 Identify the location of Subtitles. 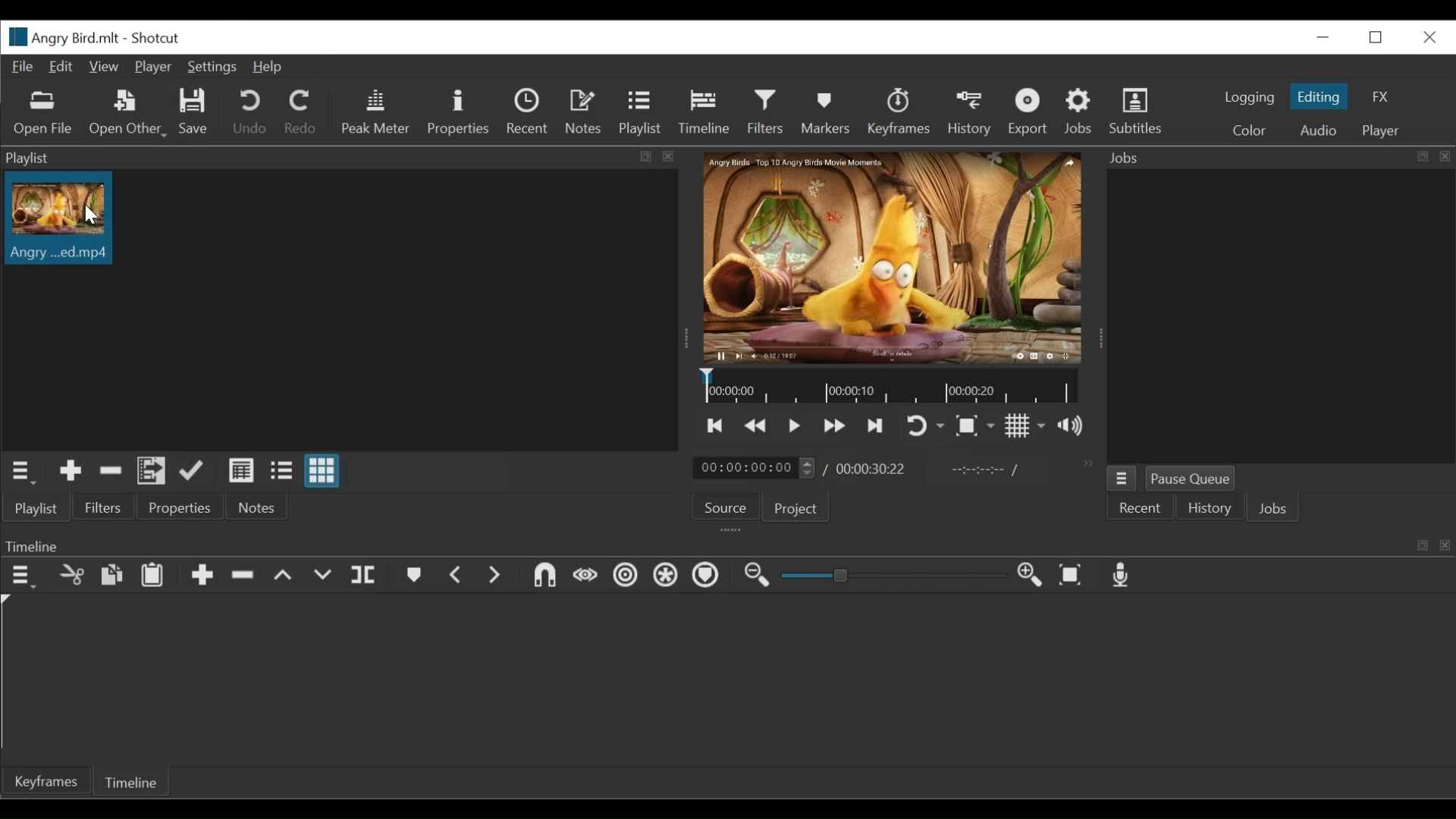
(1141, 110).